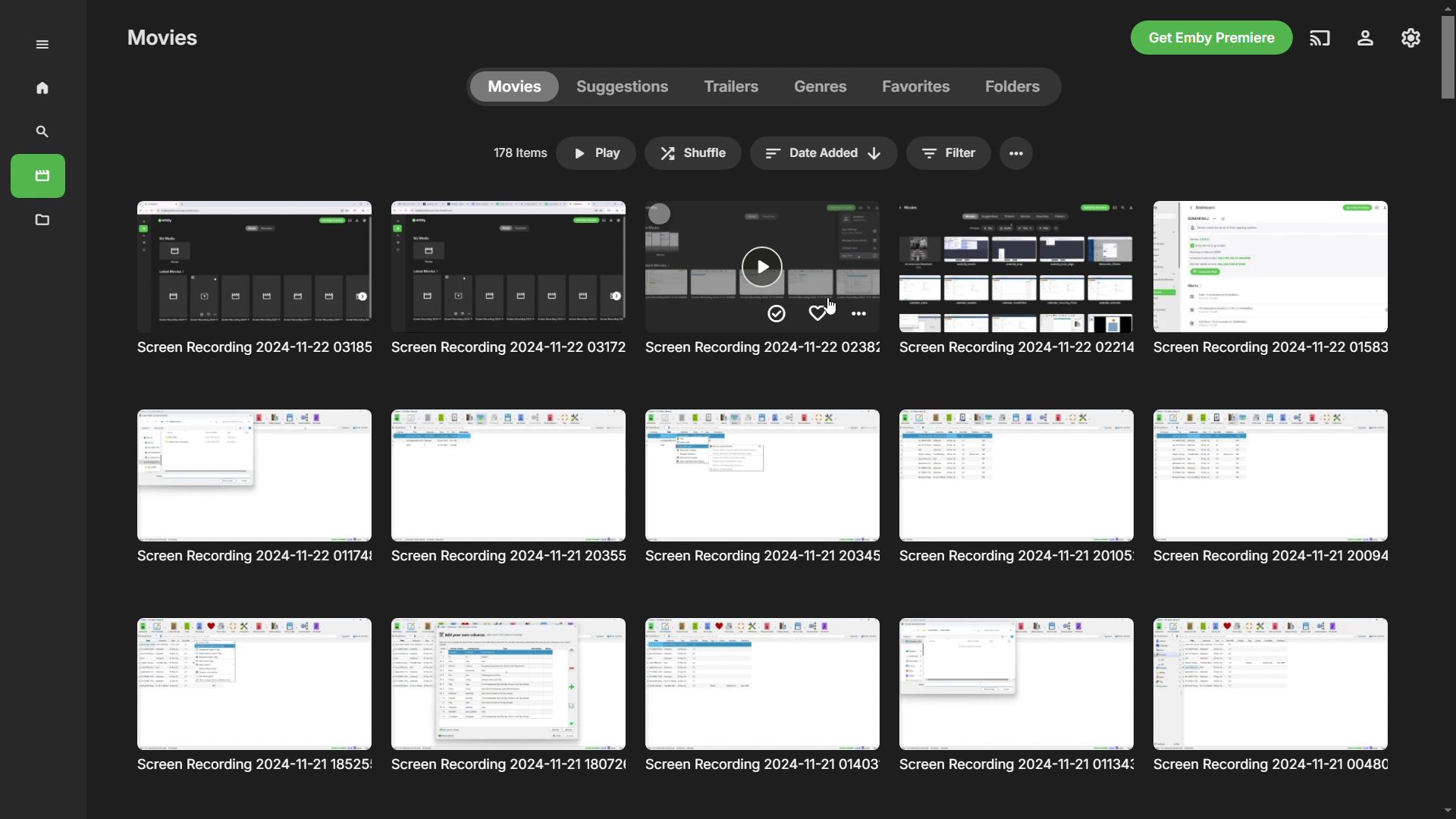 The image size is (1456, 819). What do you see at coordinates (628, 87) in the screenshot?
I see `suggestions` at bounding box center [628, 87].